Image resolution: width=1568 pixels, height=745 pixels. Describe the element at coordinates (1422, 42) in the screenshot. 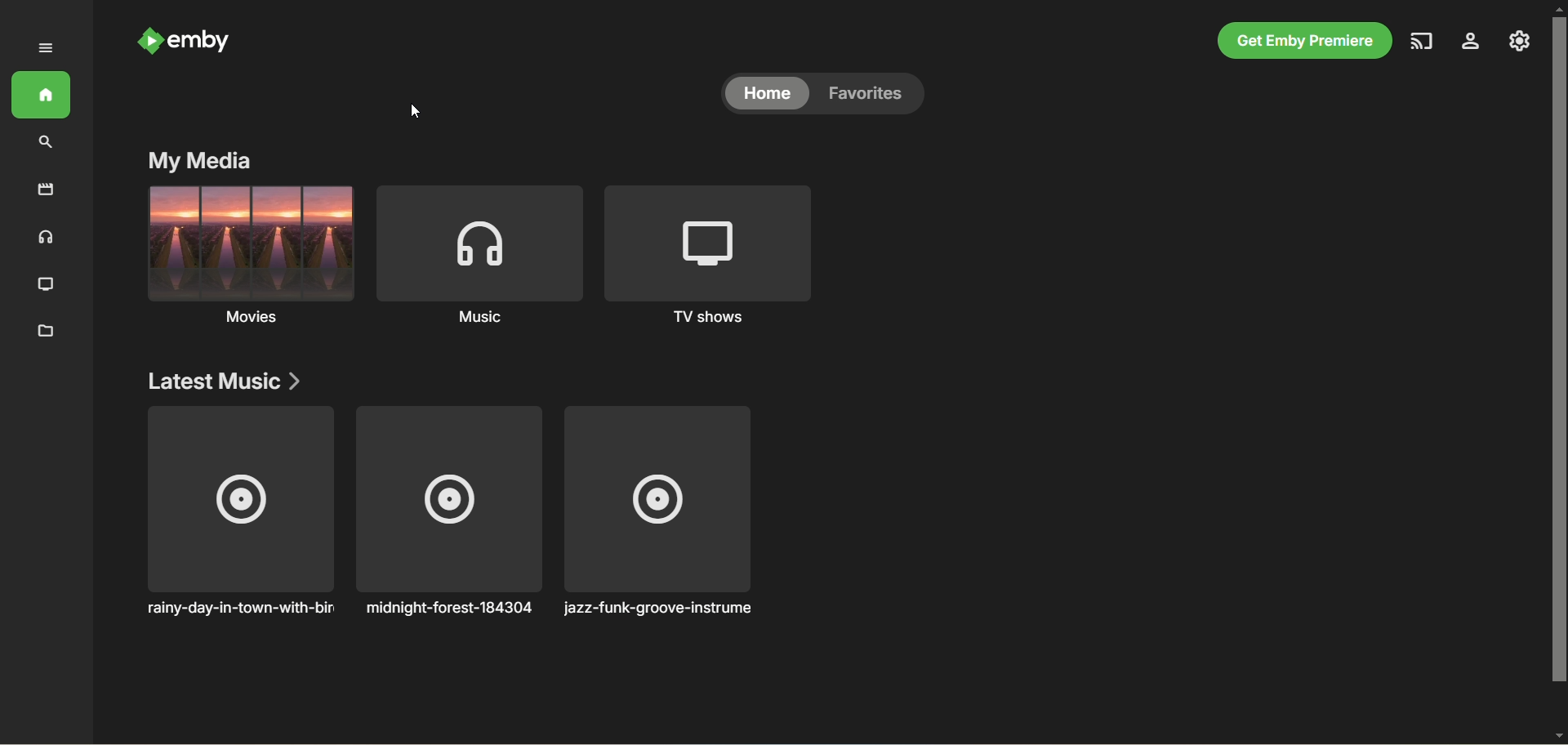

I see `play on another device` at that location.